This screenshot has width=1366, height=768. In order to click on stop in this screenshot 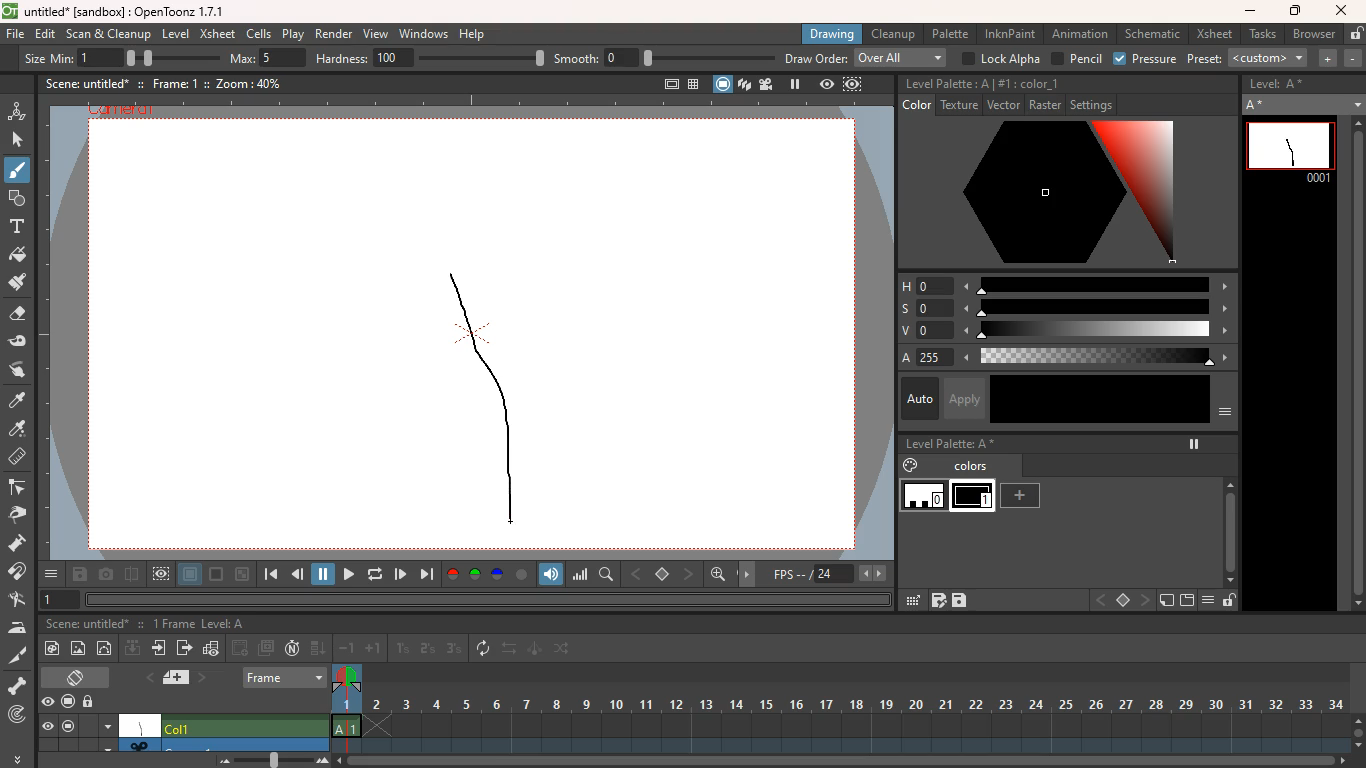, I will do `click(1122, 601)`.